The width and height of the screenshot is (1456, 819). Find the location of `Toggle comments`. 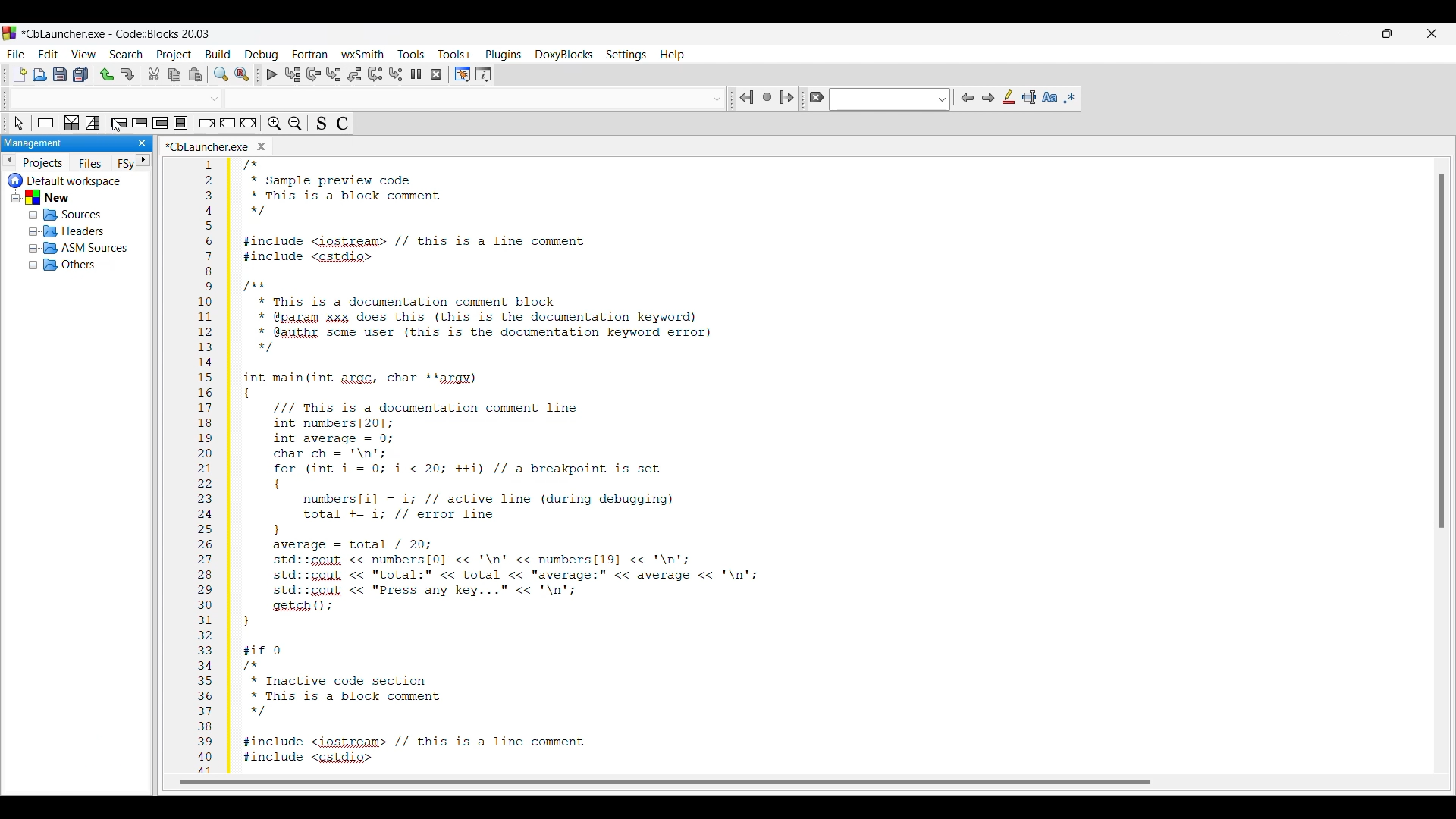

Toggle comments is located at coordinates (343, 123).